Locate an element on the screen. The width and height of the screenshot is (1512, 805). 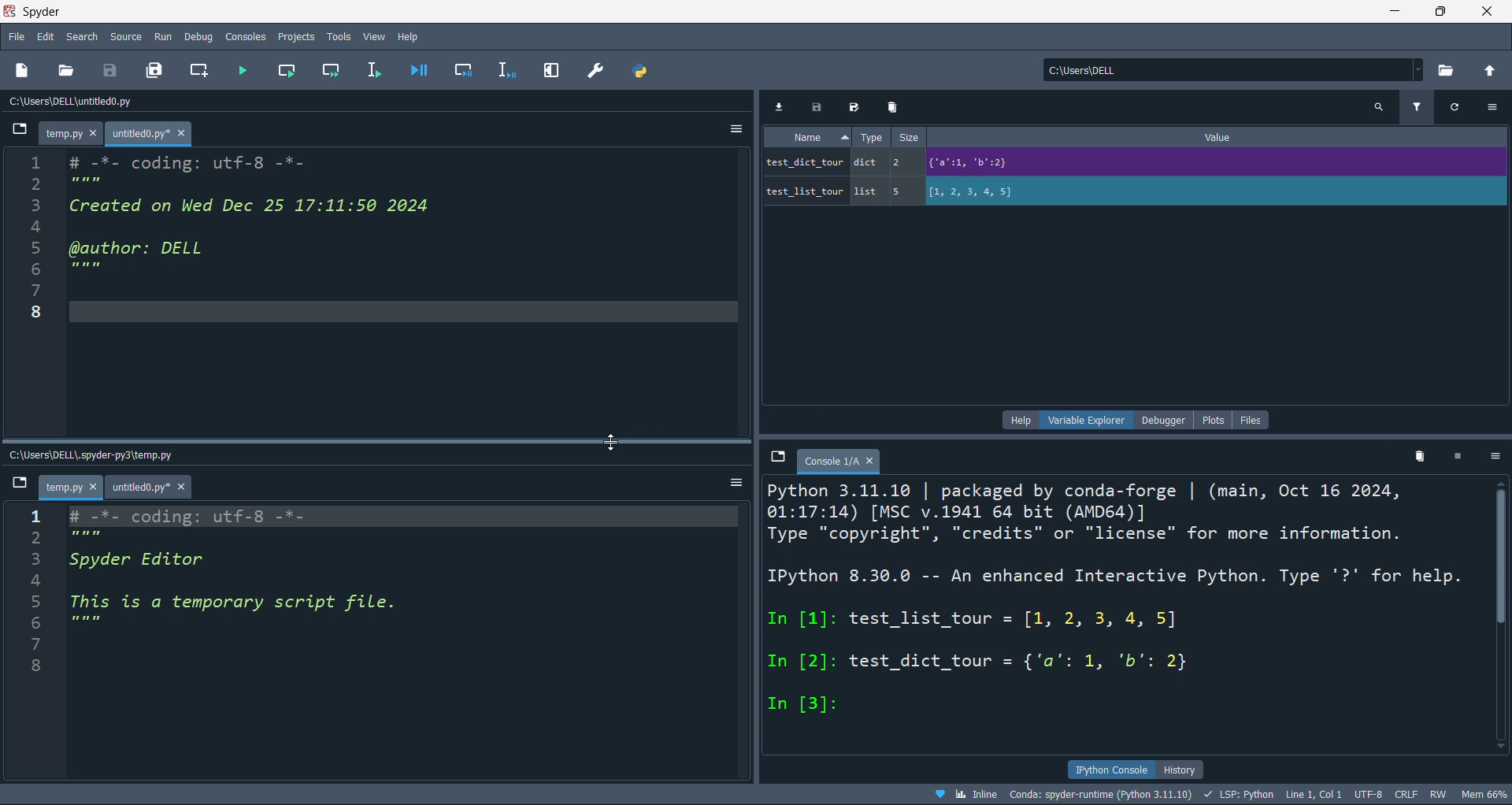
varable explorer is located at coordinates (1081, 421).